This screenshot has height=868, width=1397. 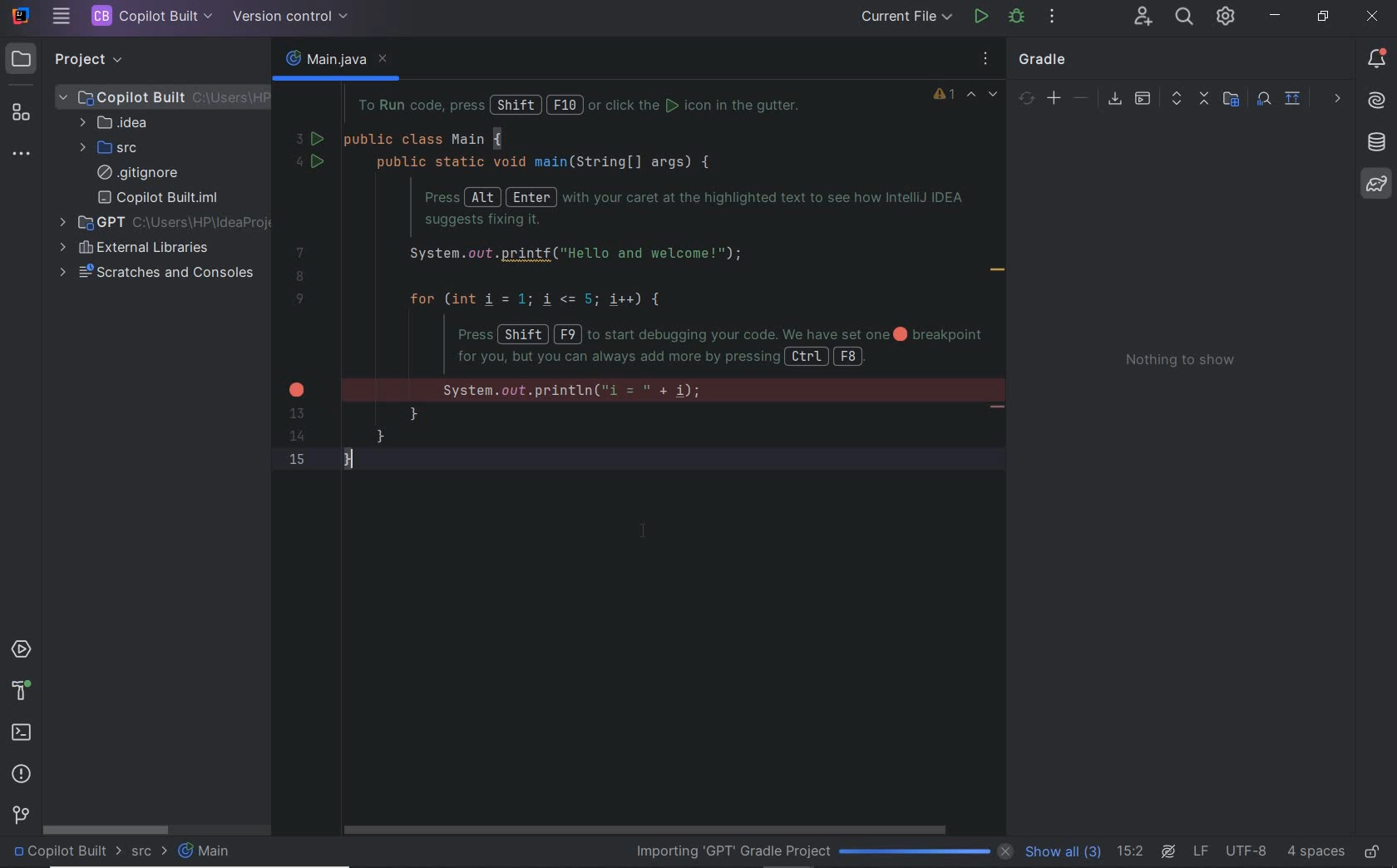 I want to click on SEARCH EVERYWHERE, so click(x=1184, y=17).